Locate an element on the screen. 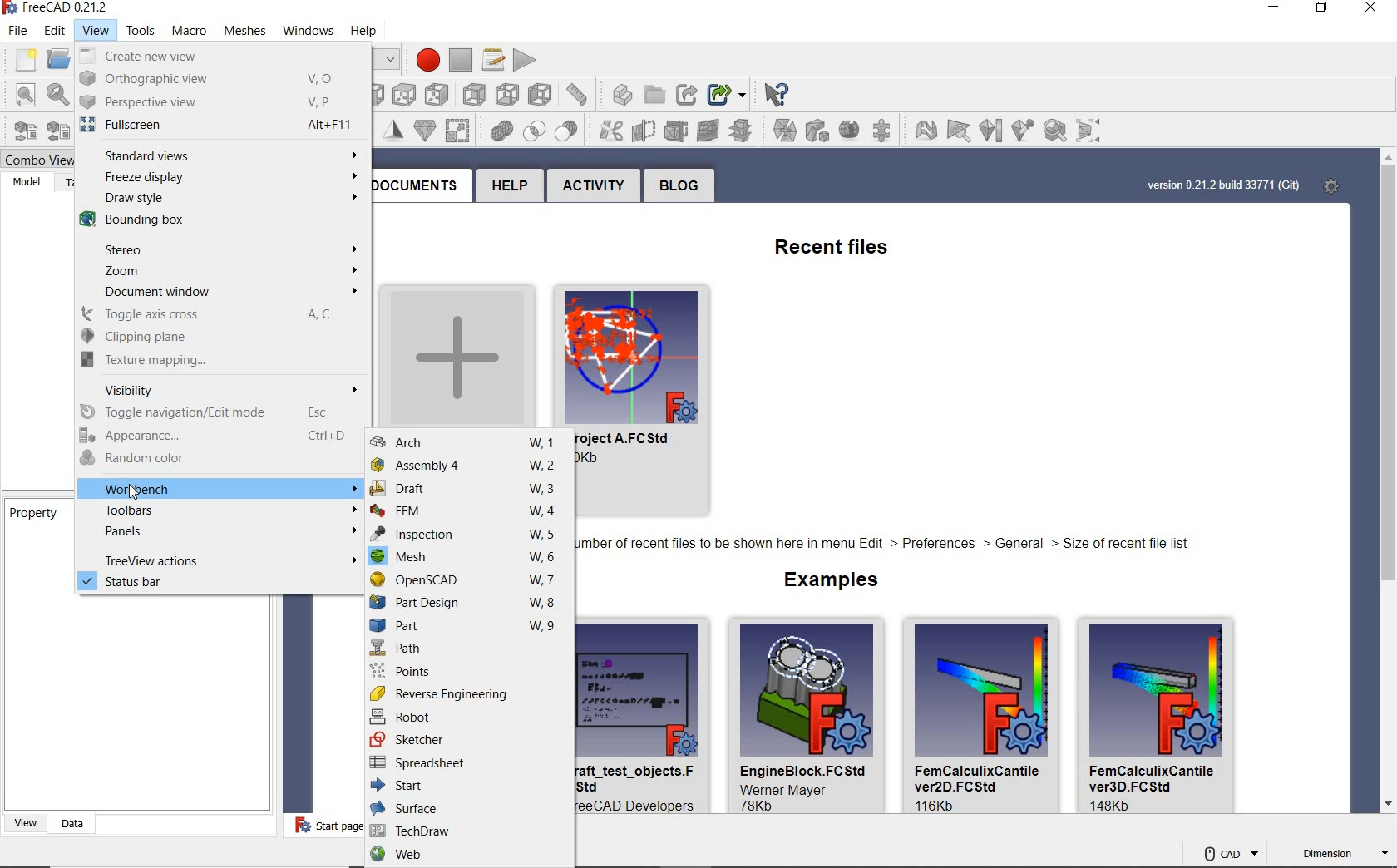  points is located at coordinates (470, 671).